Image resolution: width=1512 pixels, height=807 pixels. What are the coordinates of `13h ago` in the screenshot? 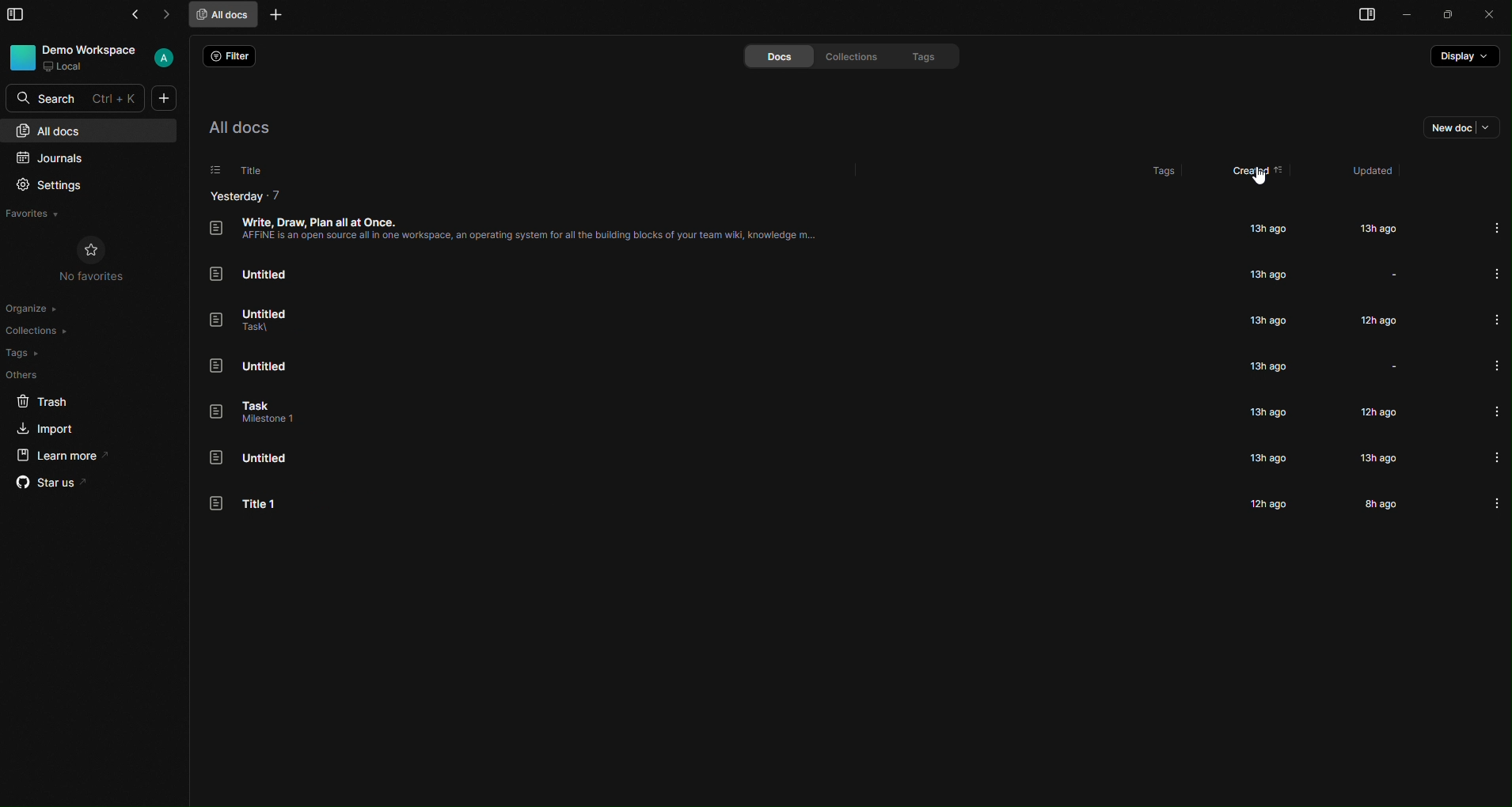 It's located at (1376, 229).